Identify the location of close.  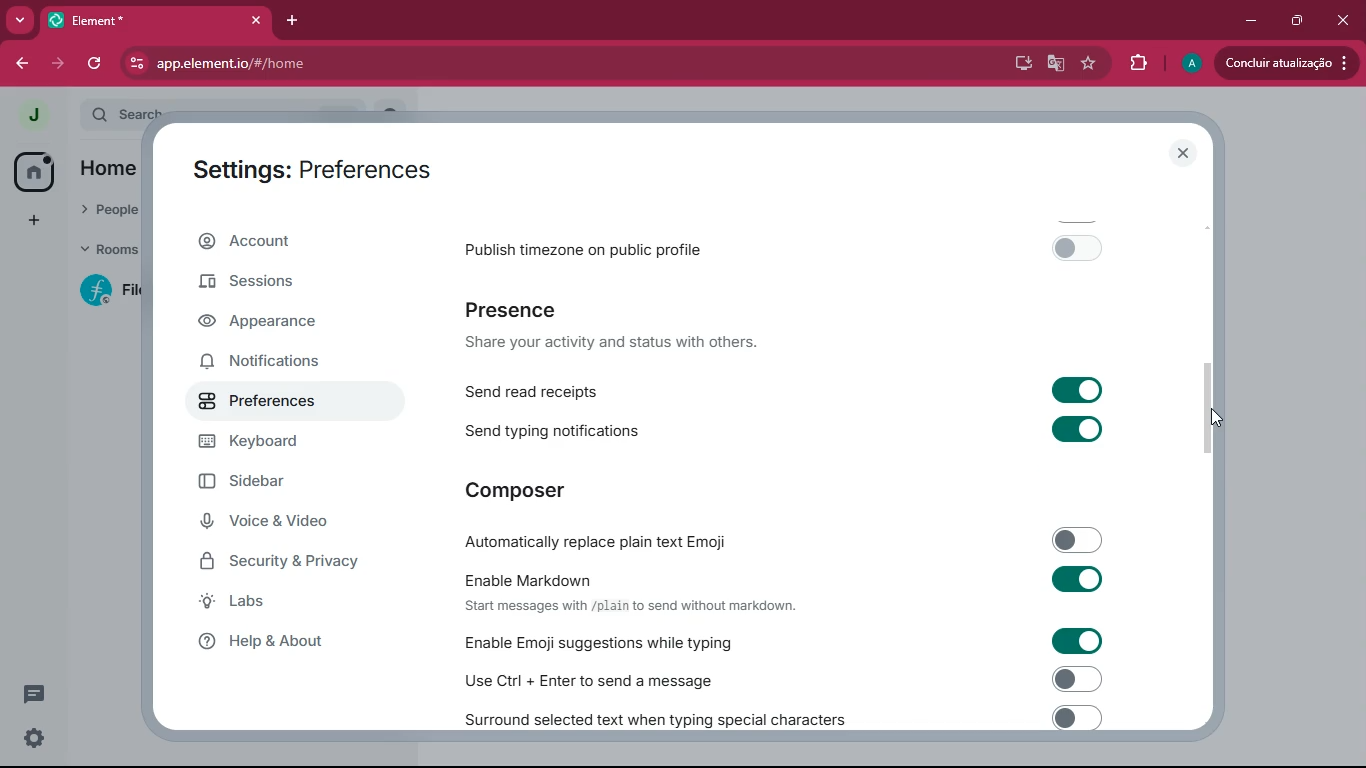
(1180, 153).